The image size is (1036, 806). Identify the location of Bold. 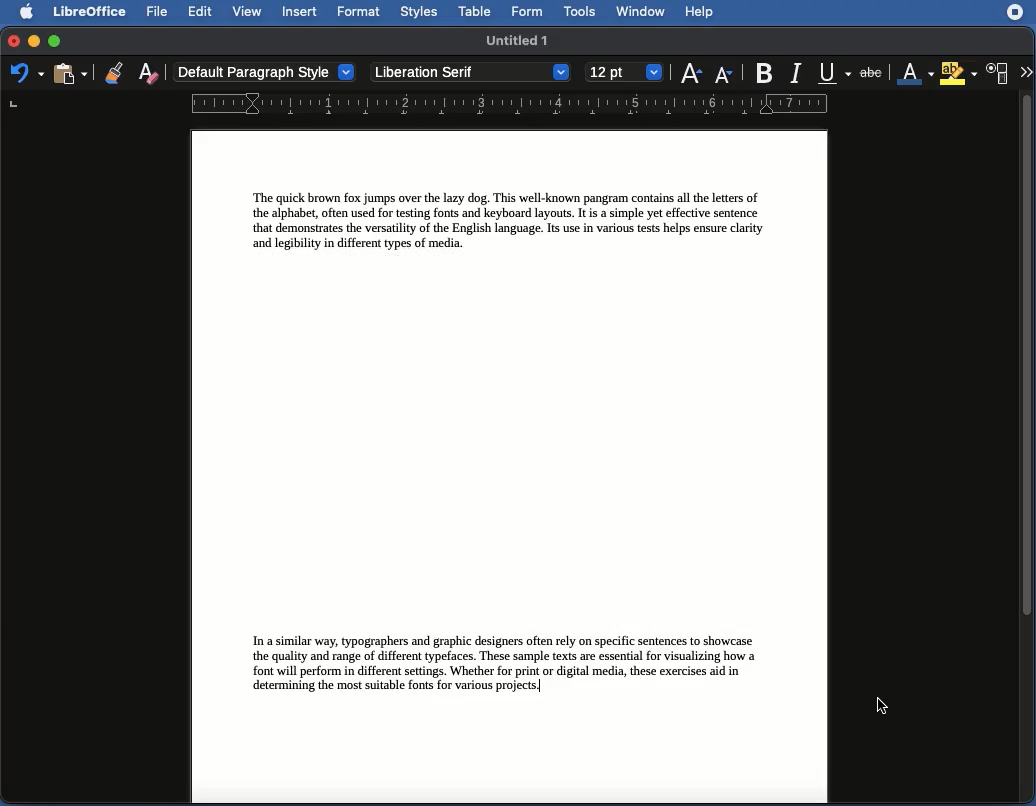
(763, 71).